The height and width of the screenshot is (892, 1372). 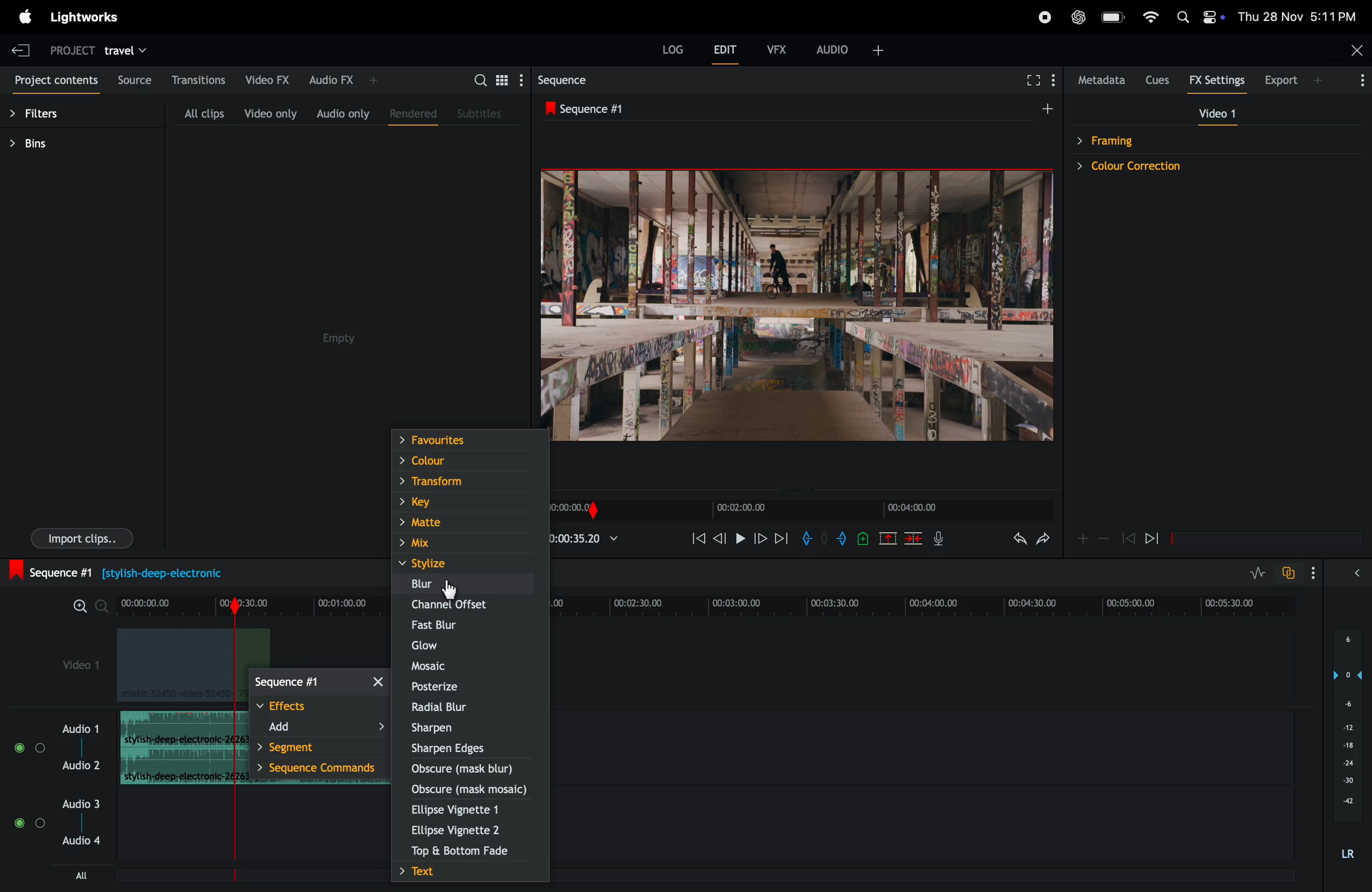 I want to click on project, so click(x=67, y=52).